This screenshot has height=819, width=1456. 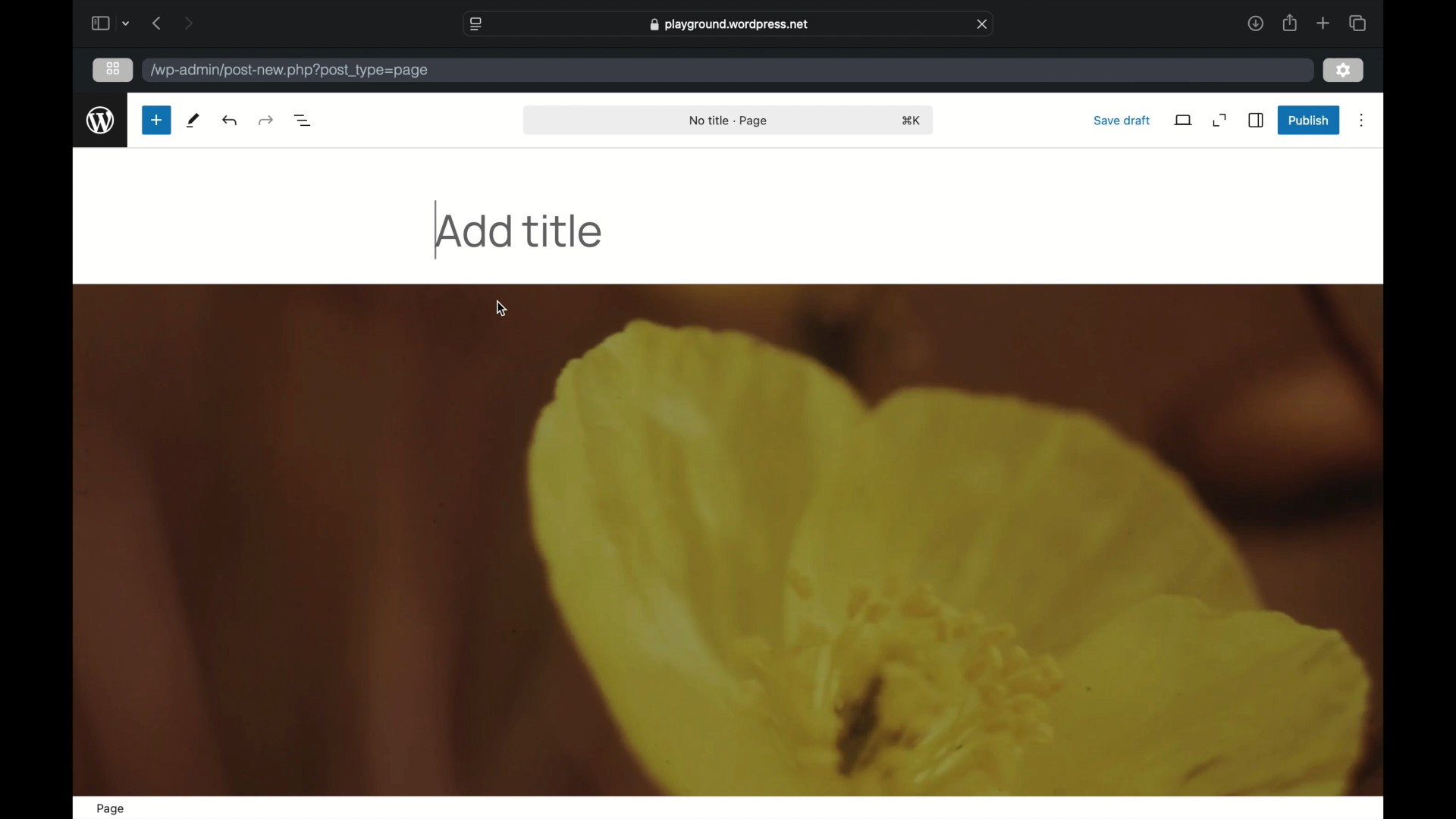 I want to click on close, so click(x=983, y=24).